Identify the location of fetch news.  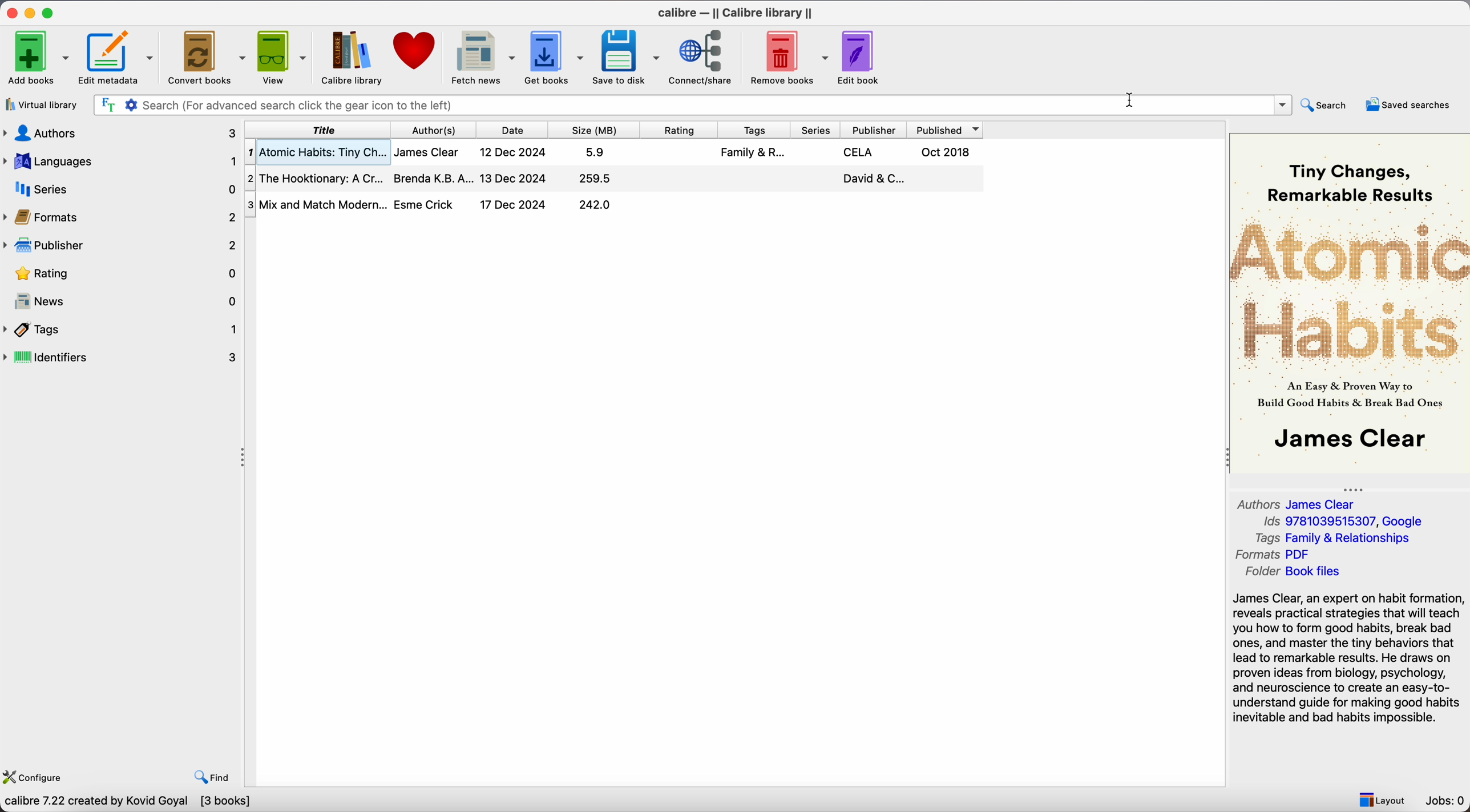
(479, 56).